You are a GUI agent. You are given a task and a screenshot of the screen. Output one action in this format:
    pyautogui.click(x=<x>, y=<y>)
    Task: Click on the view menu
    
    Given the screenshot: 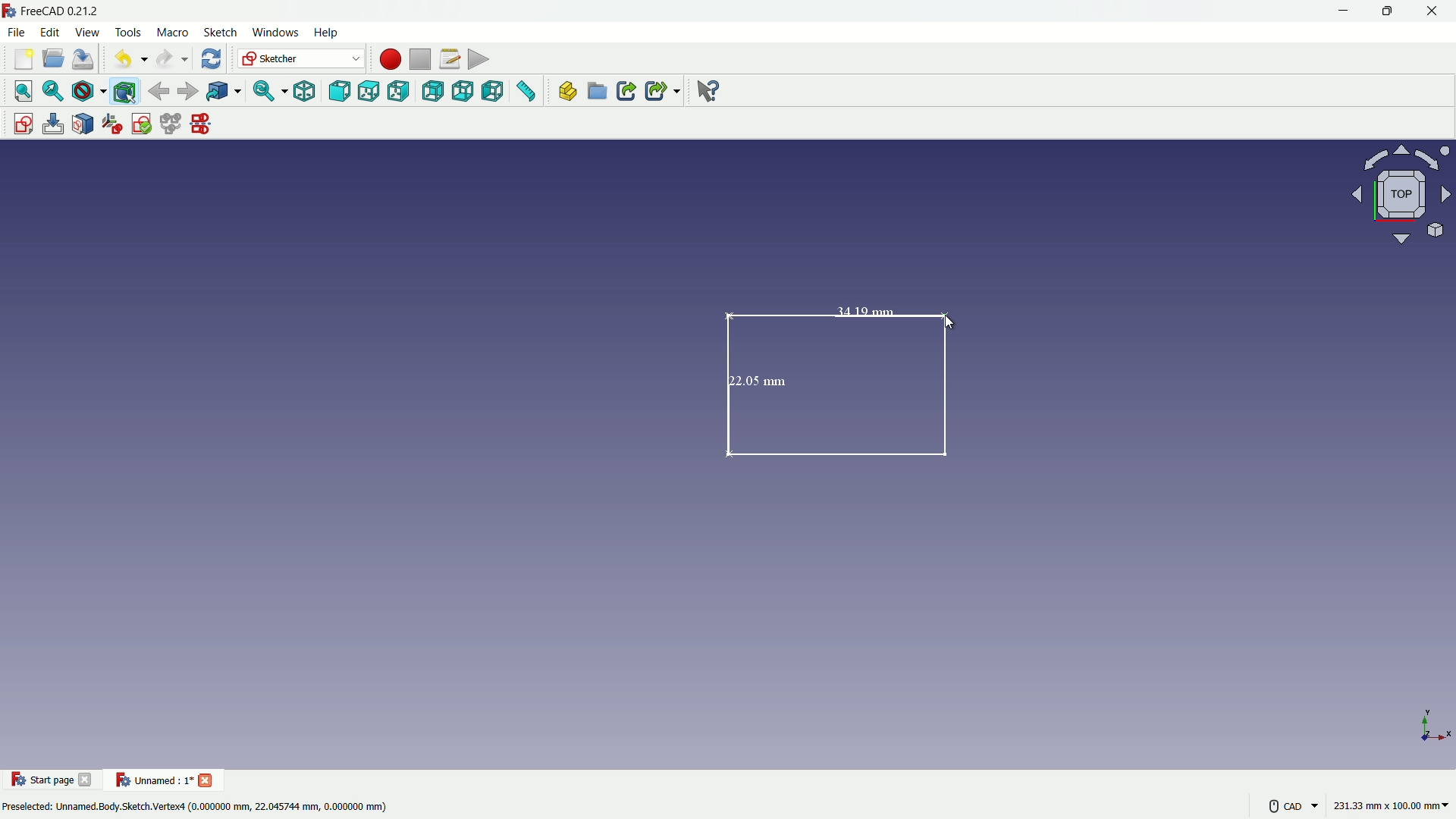 What is the action you would take?
    pyautogui.click(x=86, y=33)
    